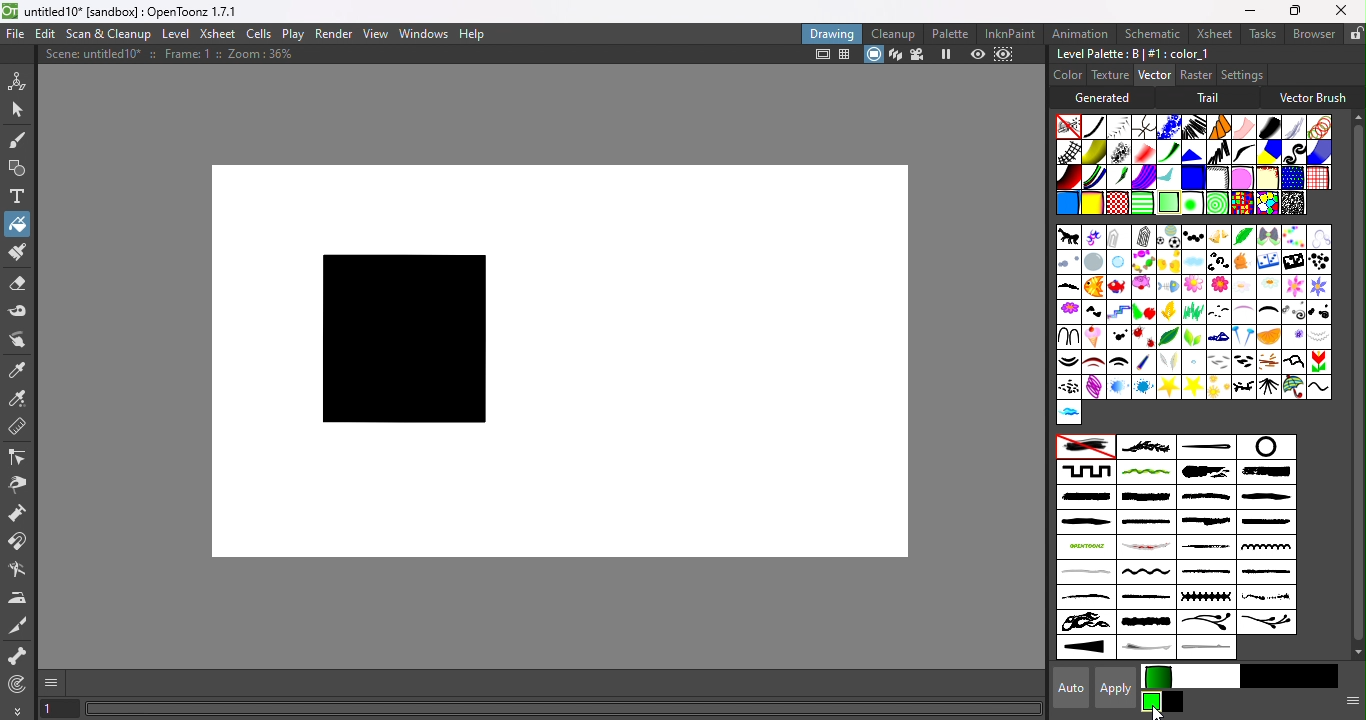 The width and height of the screenshot is (1366, 720). Describe the element at coordinates (1120, 126) in the screenshot. I see `Herringbone` at that location.